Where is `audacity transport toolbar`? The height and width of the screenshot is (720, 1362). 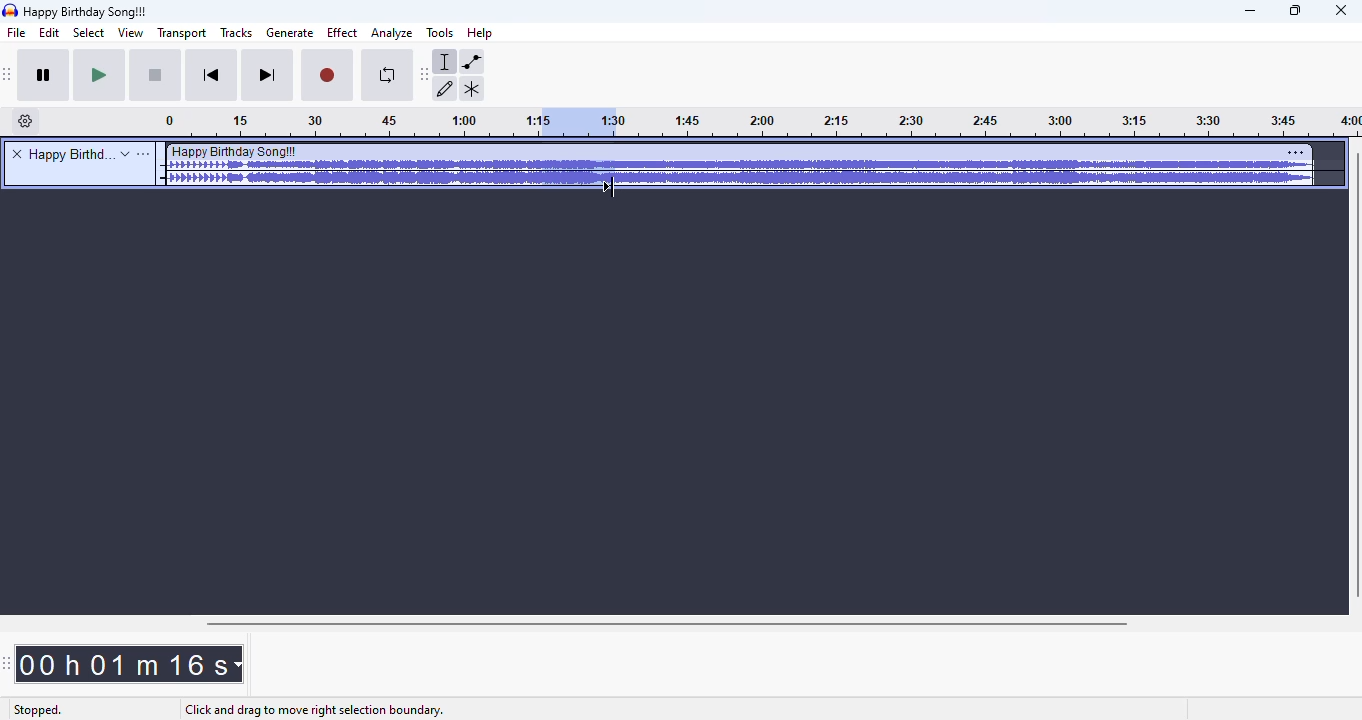
audacity transport toolbar is located at coordinates (9, 75).